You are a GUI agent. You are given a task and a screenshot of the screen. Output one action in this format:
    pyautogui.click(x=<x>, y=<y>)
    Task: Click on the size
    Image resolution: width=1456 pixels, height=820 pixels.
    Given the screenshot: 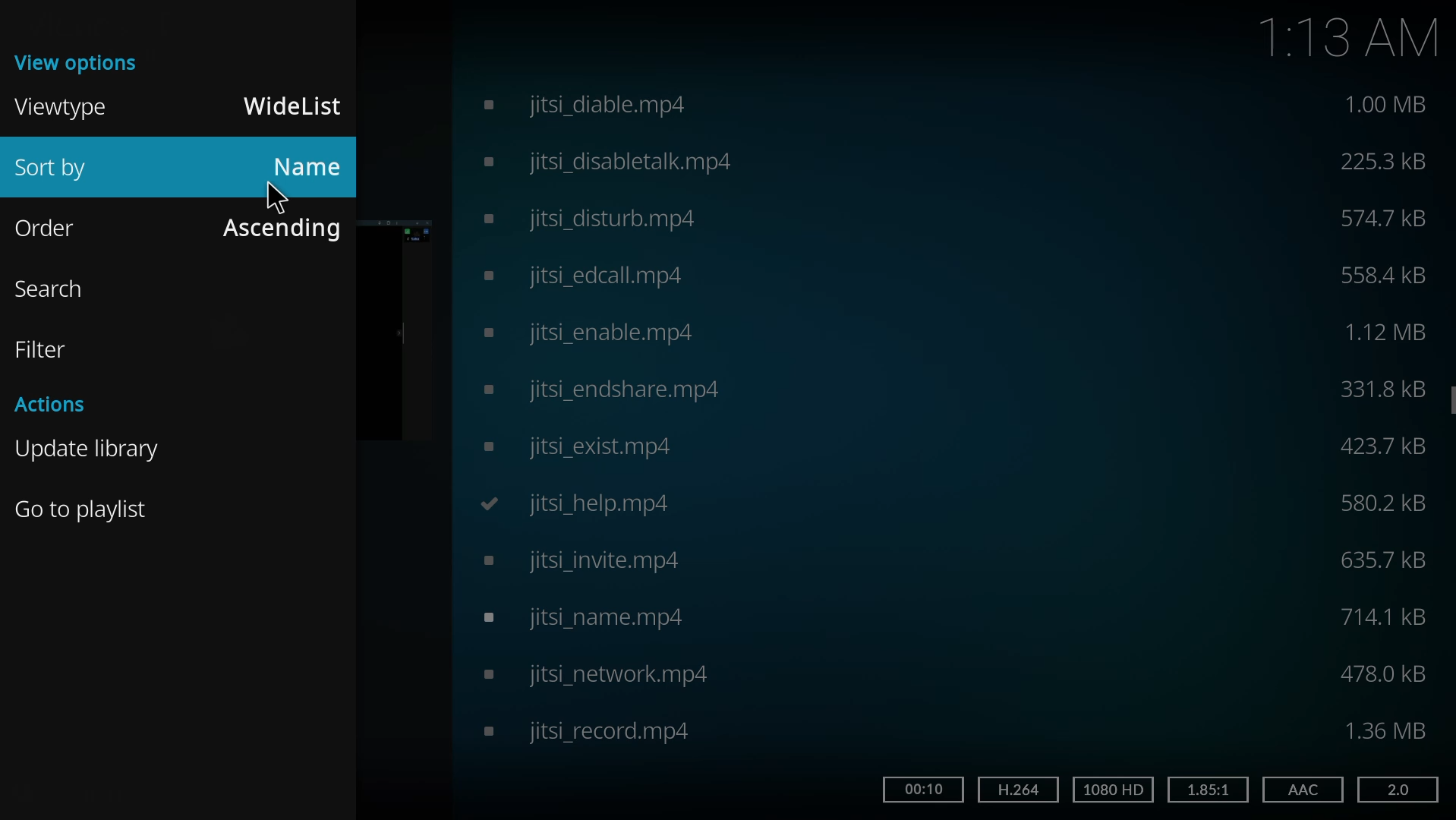 What is the action you would take?
    pyautogui.click(x=1382, y=216)
    